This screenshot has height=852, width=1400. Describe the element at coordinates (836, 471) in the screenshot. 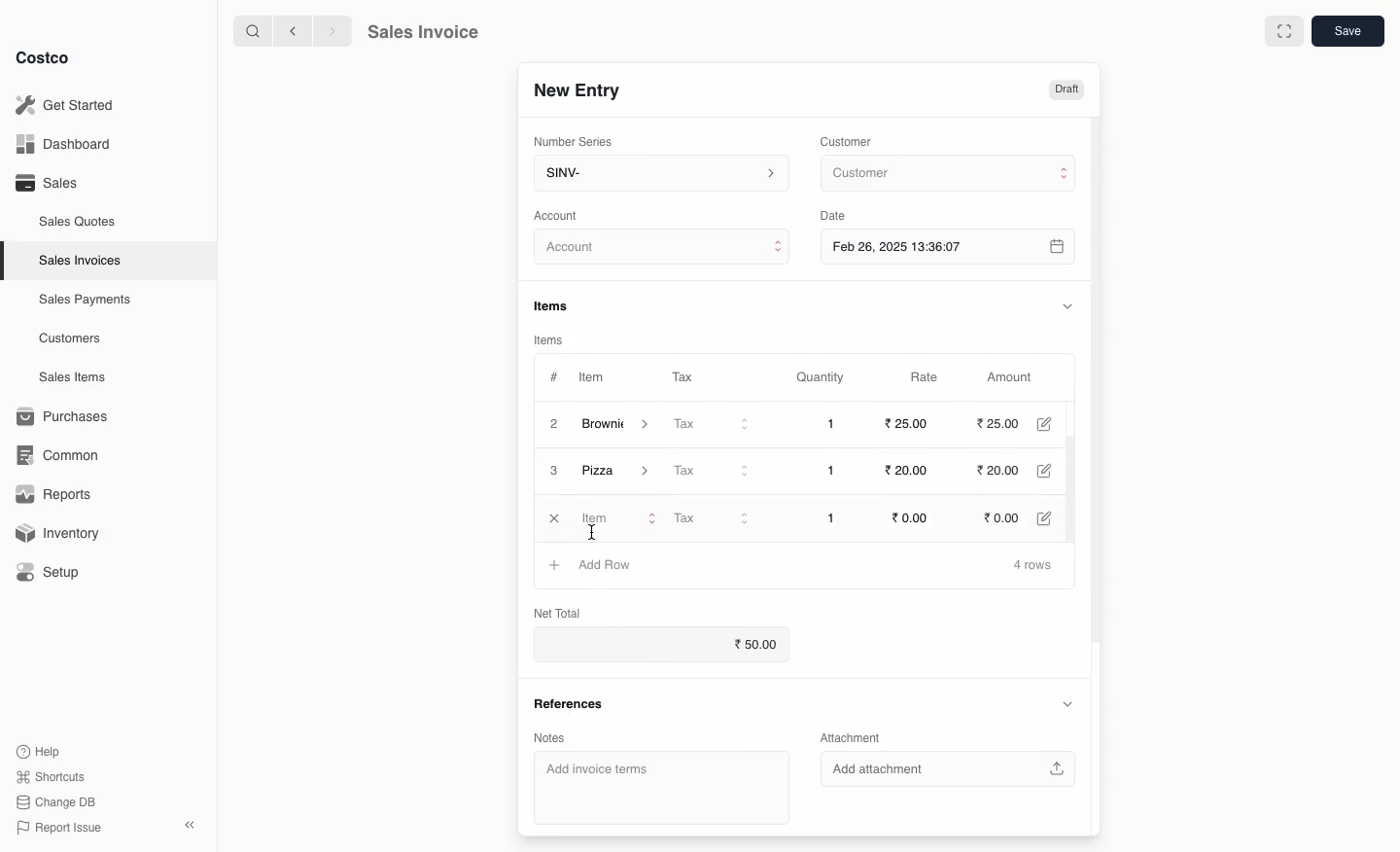

I see `1` at that location.